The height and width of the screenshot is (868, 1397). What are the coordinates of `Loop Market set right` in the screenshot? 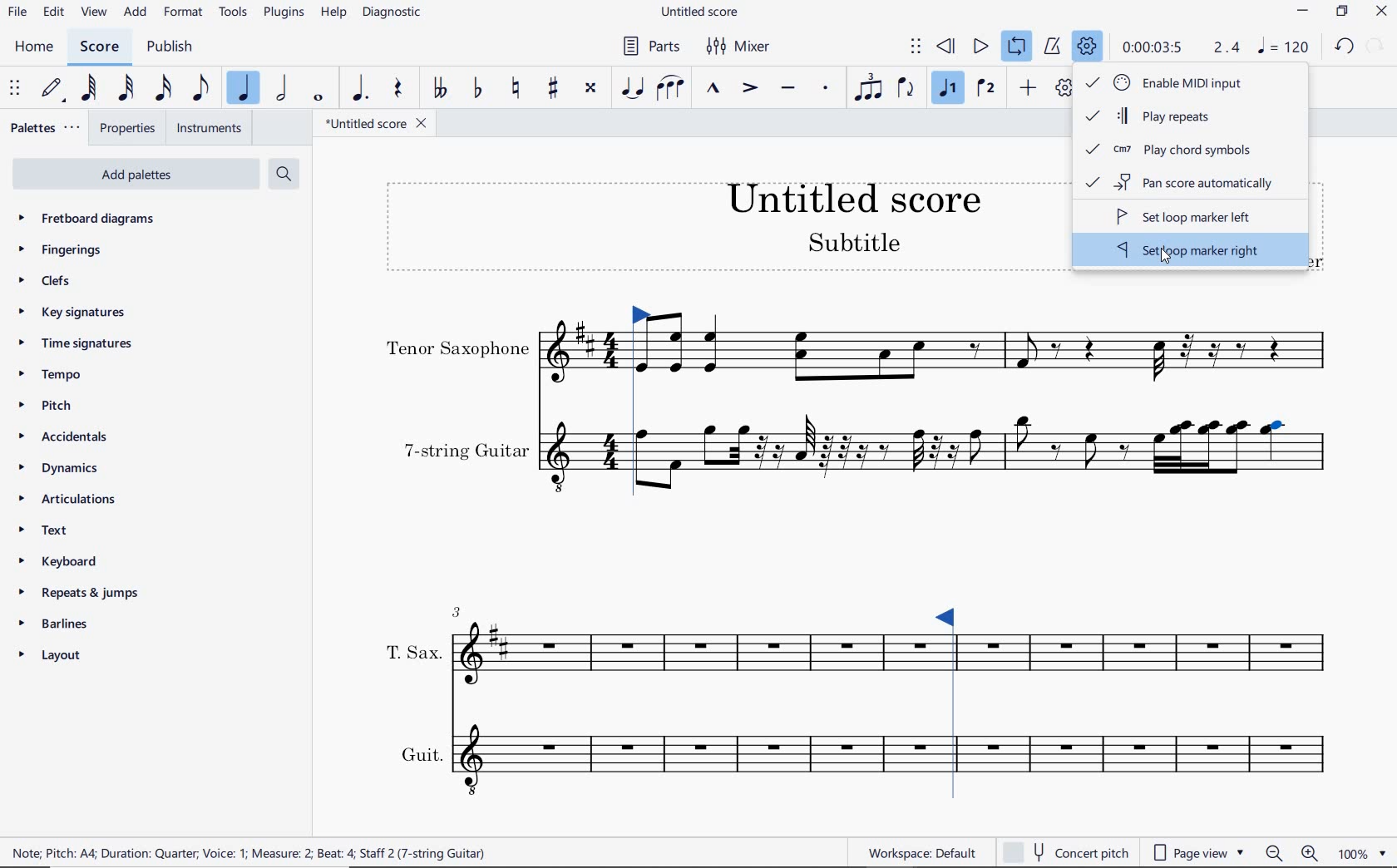 It's located at (954, 701).